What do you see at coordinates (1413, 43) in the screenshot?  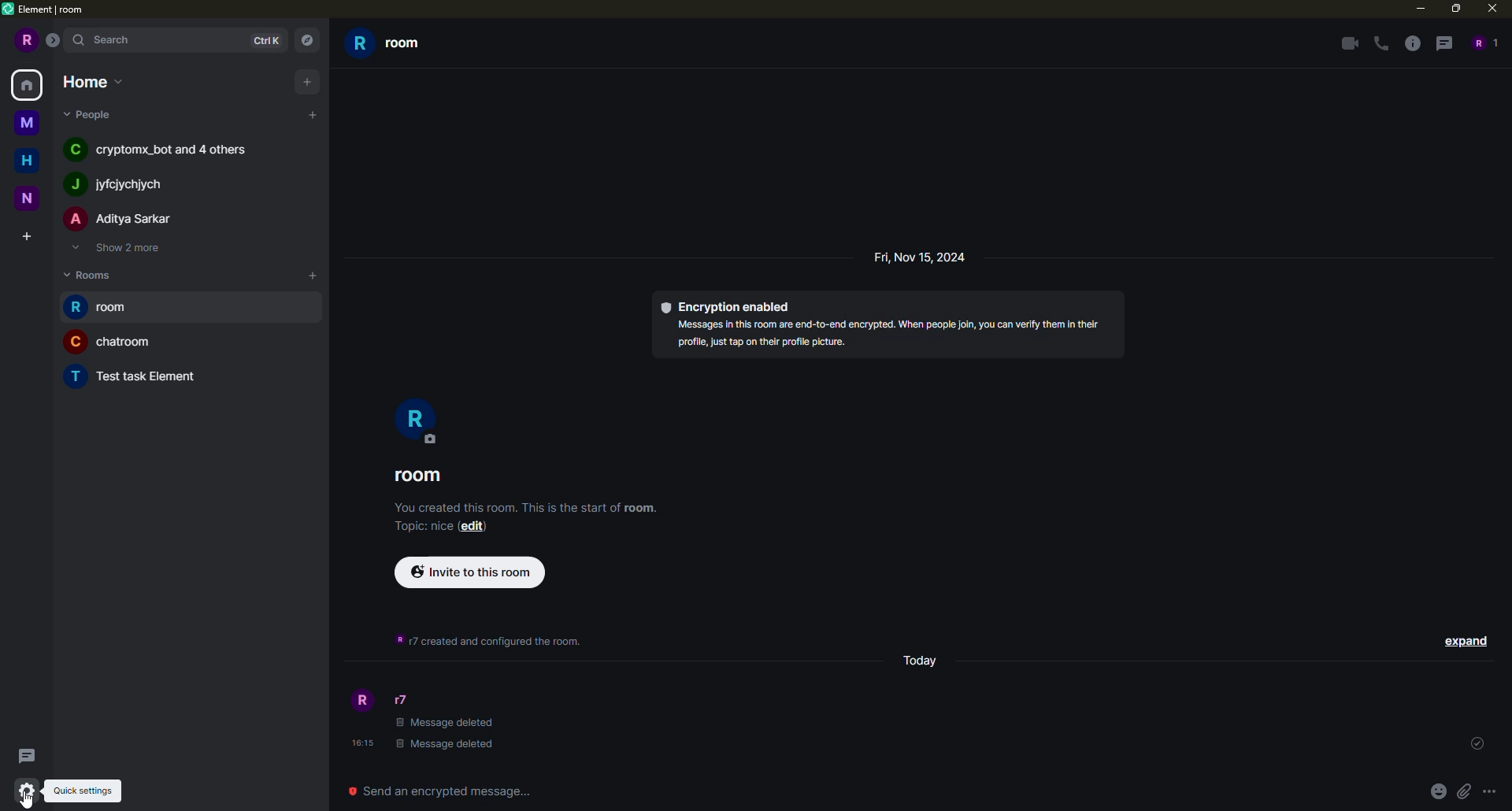 I see `info` at bounding box center [1413, 43].